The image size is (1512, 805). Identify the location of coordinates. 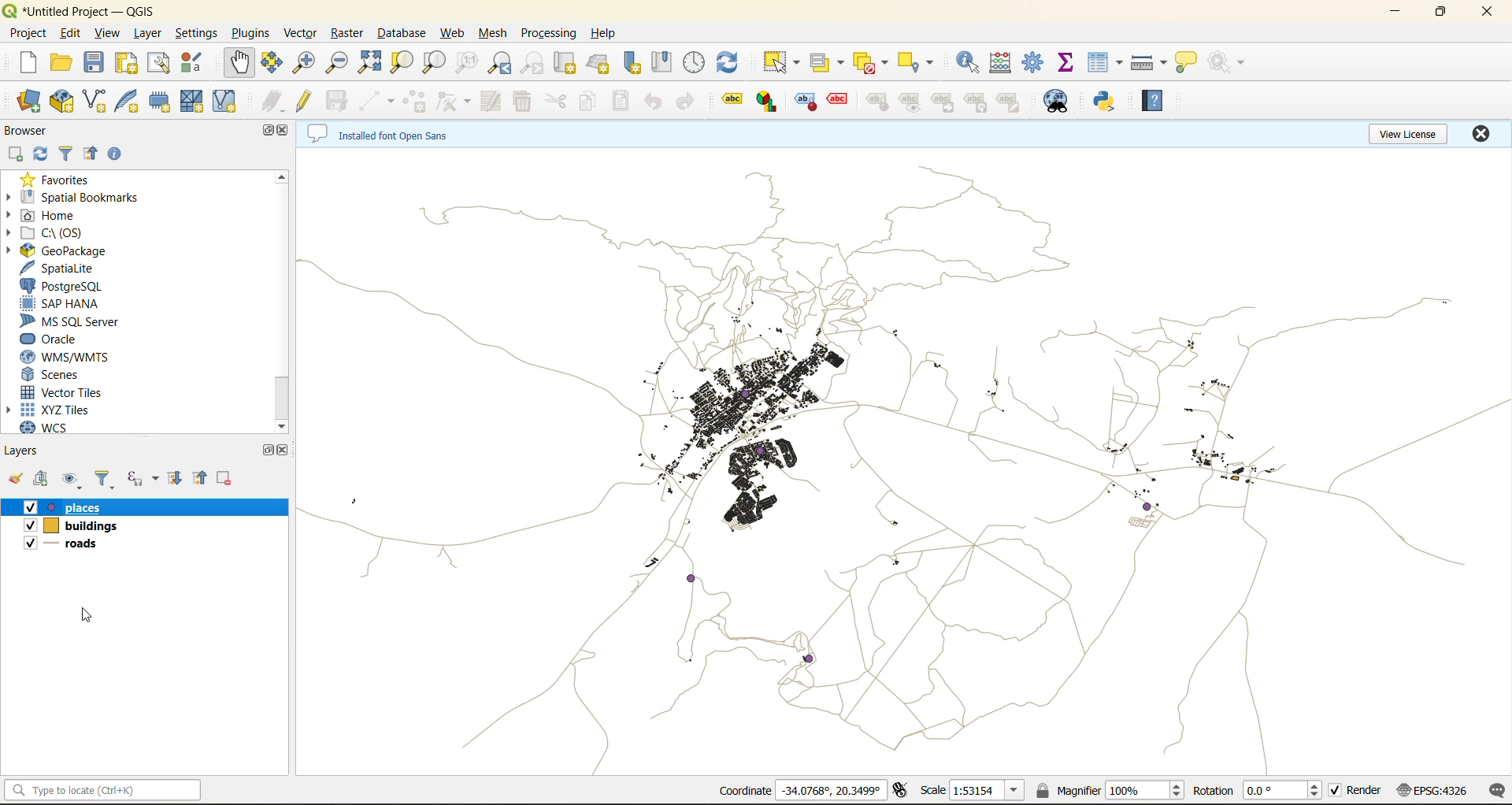
(831, 790).